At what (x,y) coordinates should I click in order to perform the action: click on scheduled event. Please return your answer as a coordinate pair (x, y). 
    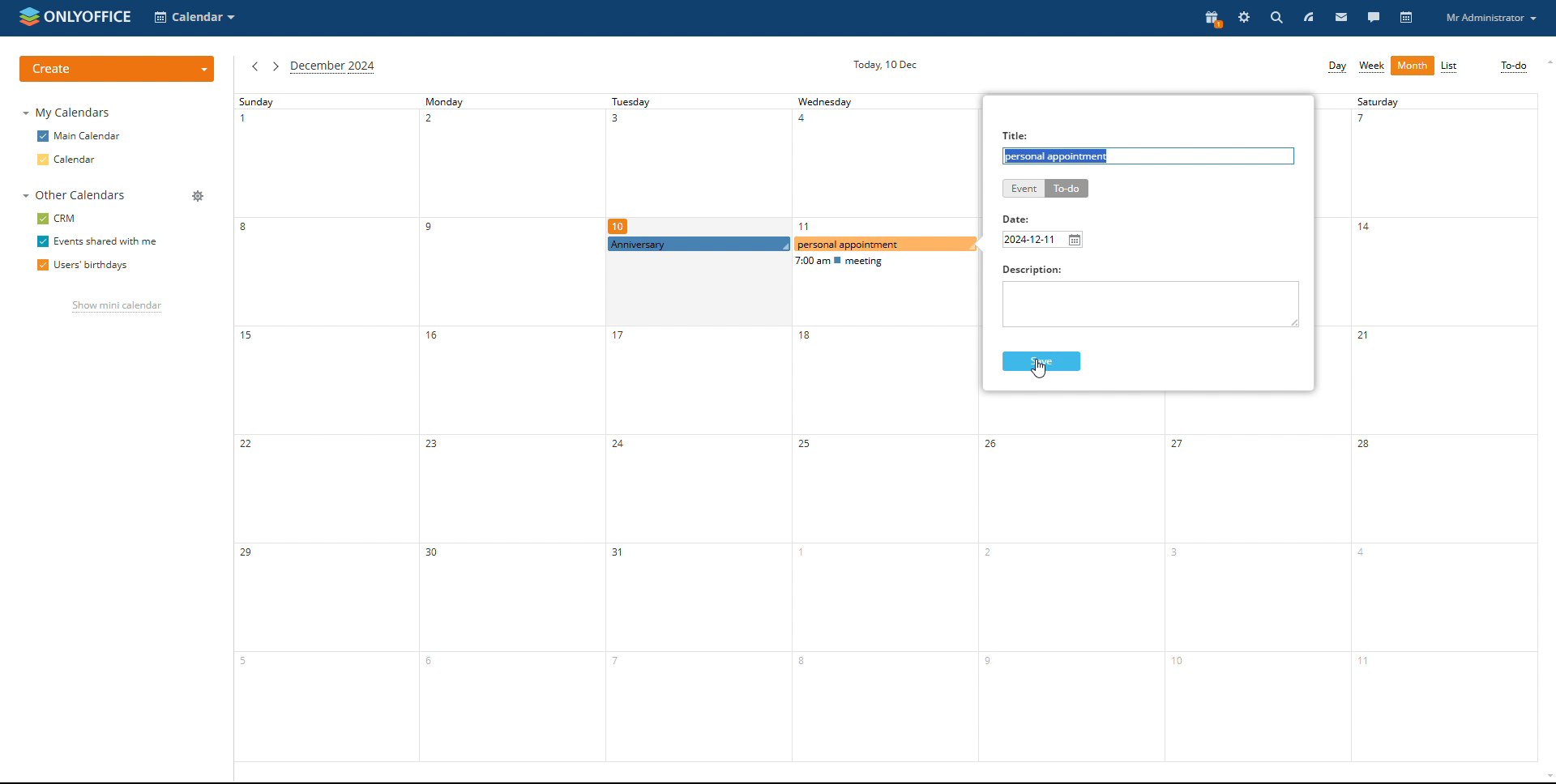
    Looking at the image, I should click on (792, 242).